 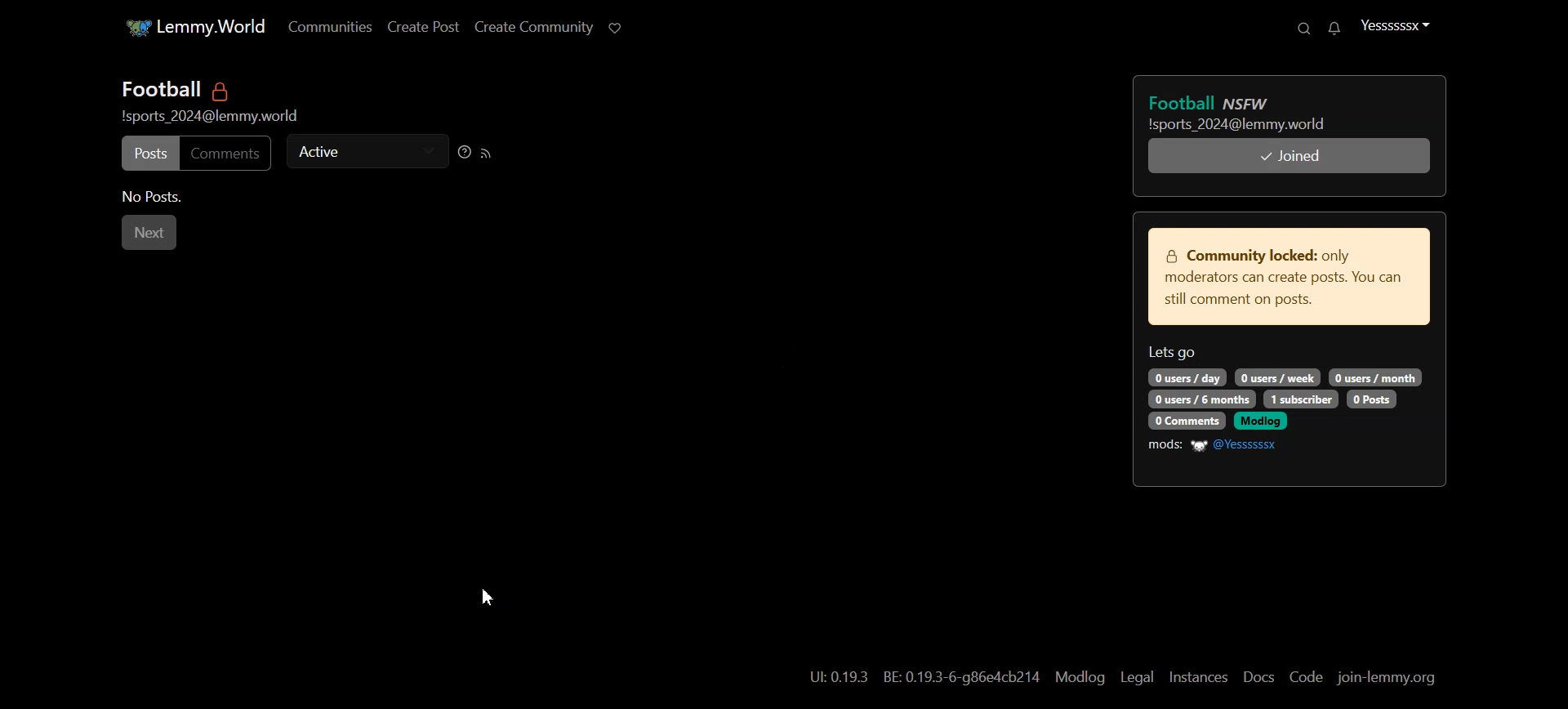 What do you see at coordinates (1189, 676) in the screenshot?
I see `Instance` at bounding box center [1189, 676].